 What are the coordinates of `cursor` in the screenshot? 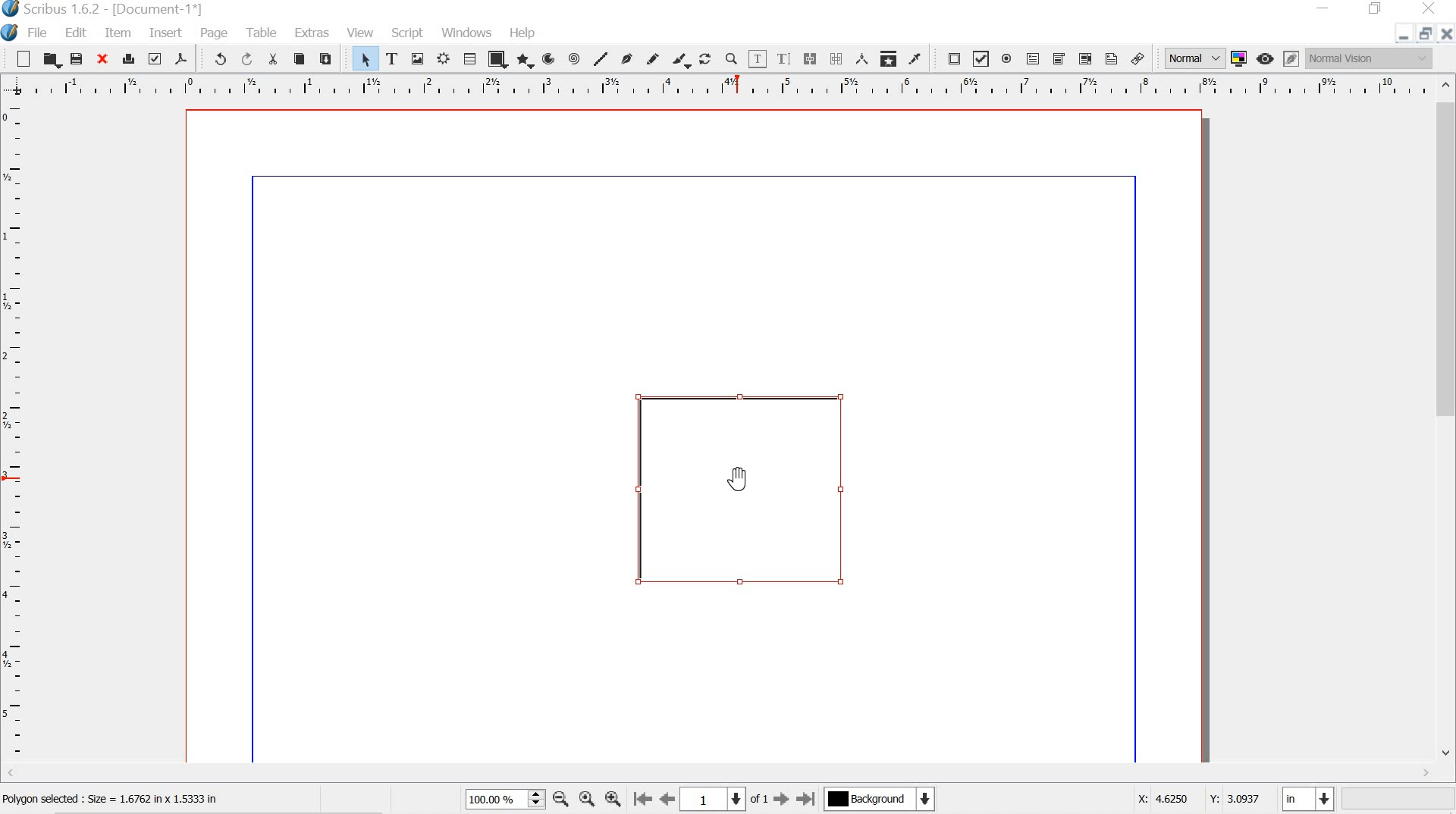 It's located at (739, 477).